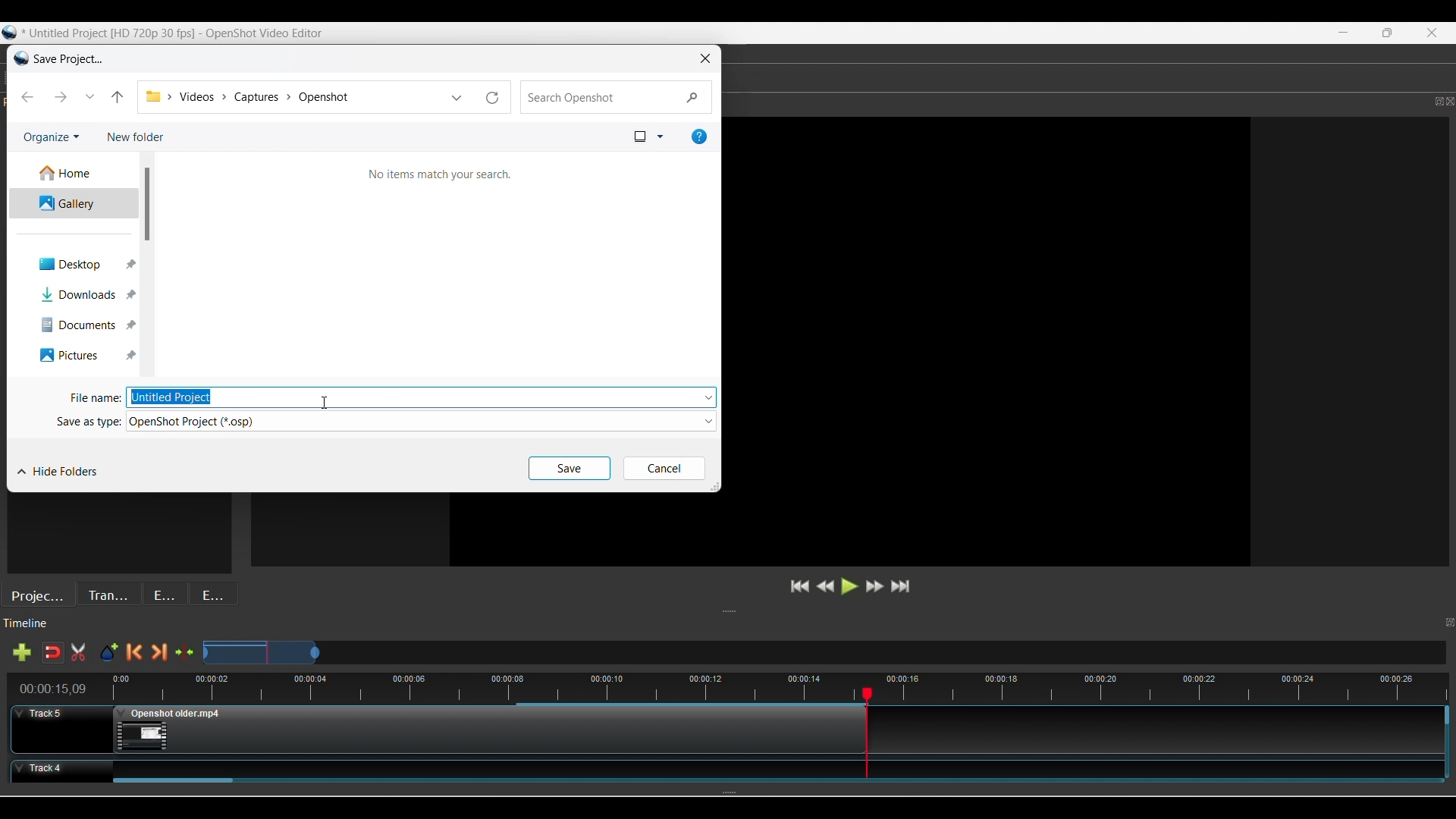 This screenshot has width=1456, height=819. Describe the element at coordinates (1426, 101) in the screenshot. I see `maximize` at that location.